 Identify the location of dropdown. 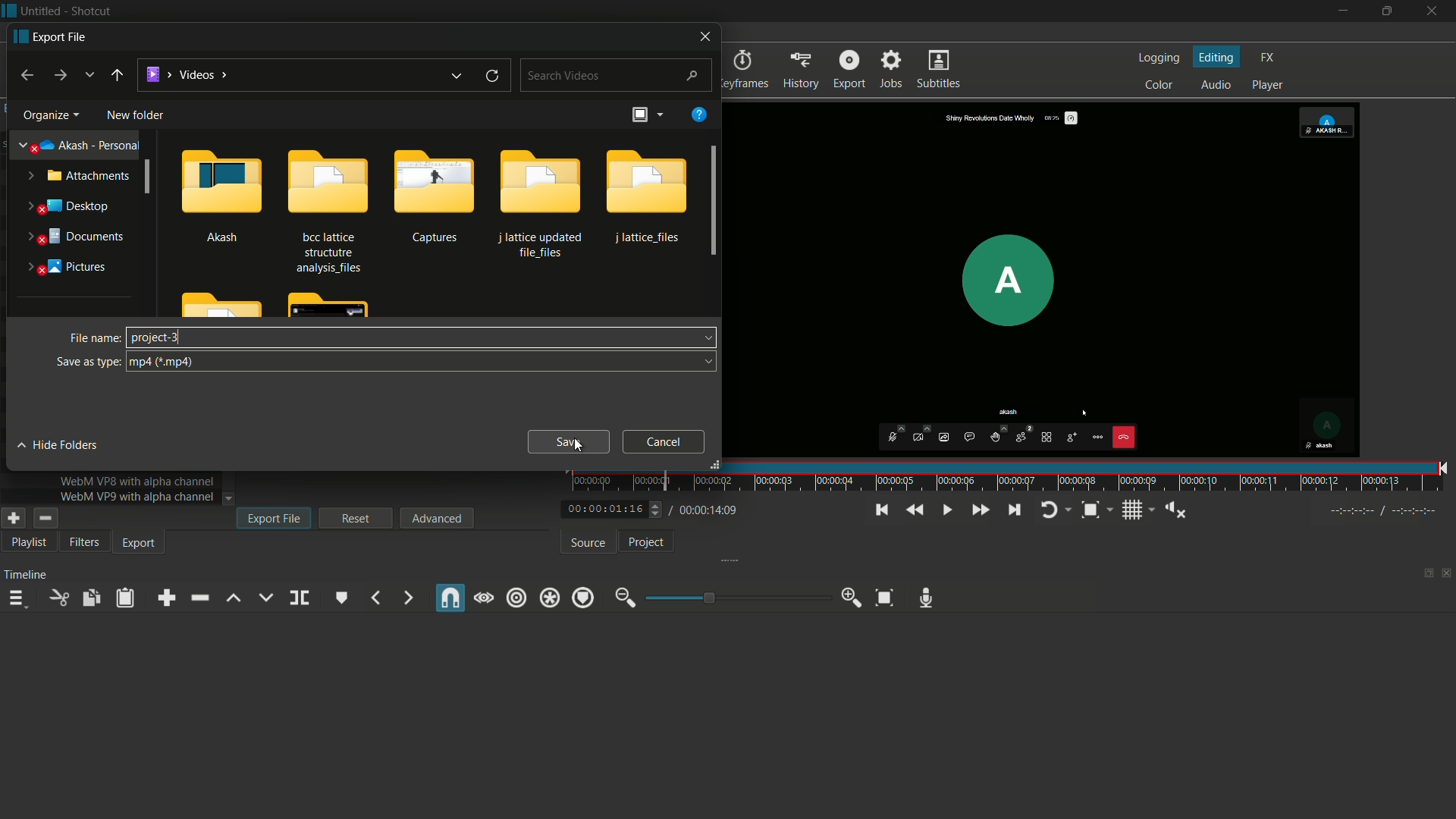
(704, 362).